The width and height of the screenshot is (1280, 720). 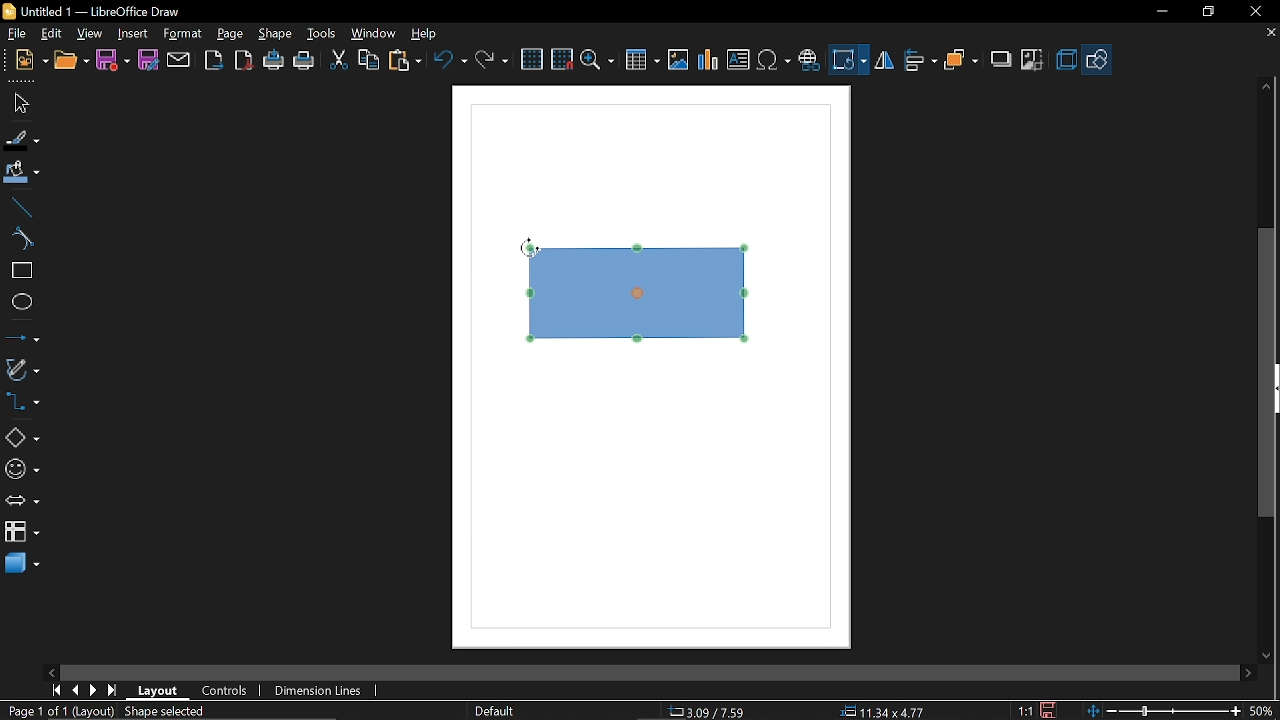 What do you see at coordinates (183, 34) in the screenshot?
I see `Format` at bounding box center [183, 34].